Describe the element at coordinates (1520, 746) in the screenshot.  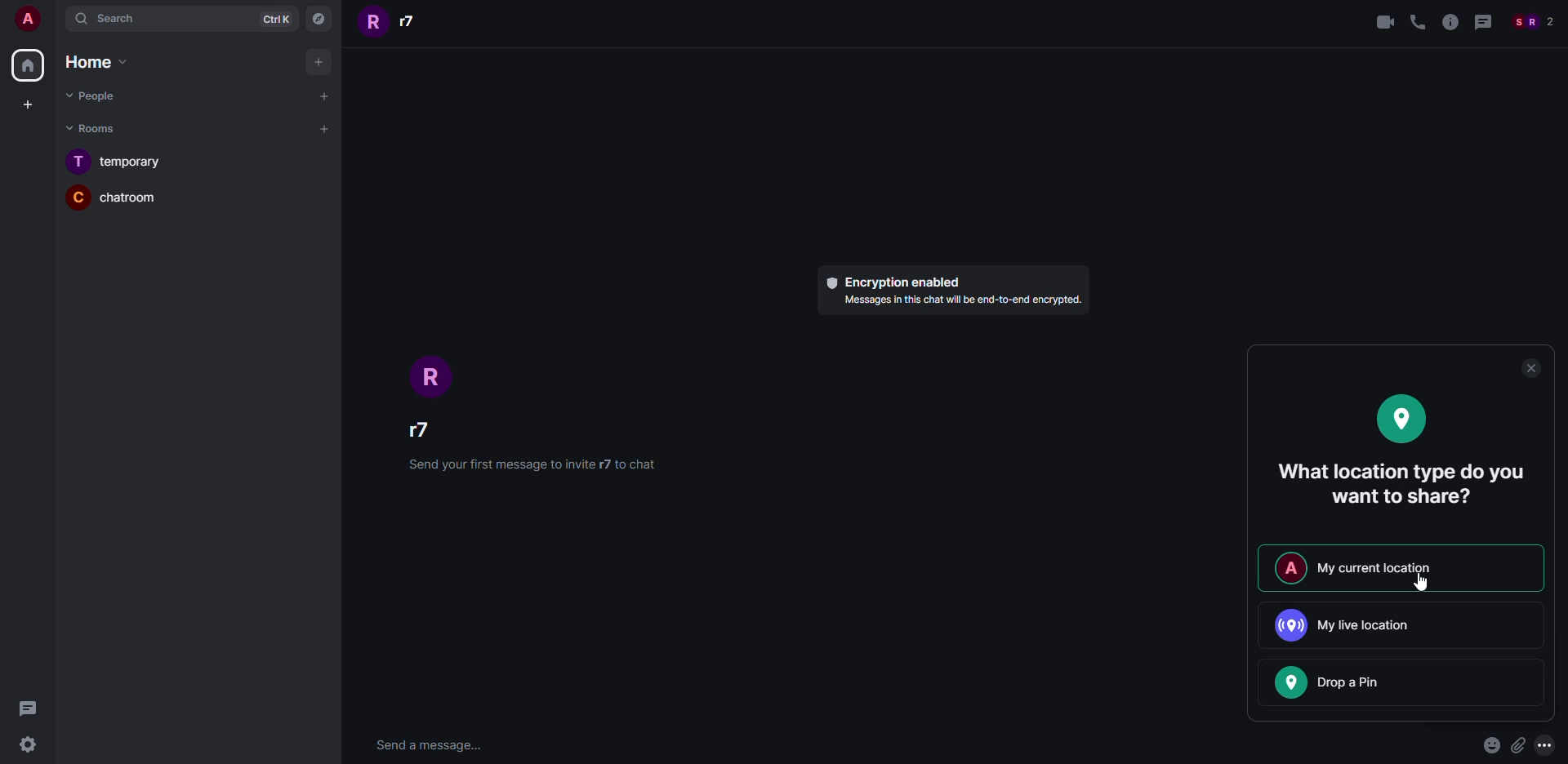
I see `attach` at that location.